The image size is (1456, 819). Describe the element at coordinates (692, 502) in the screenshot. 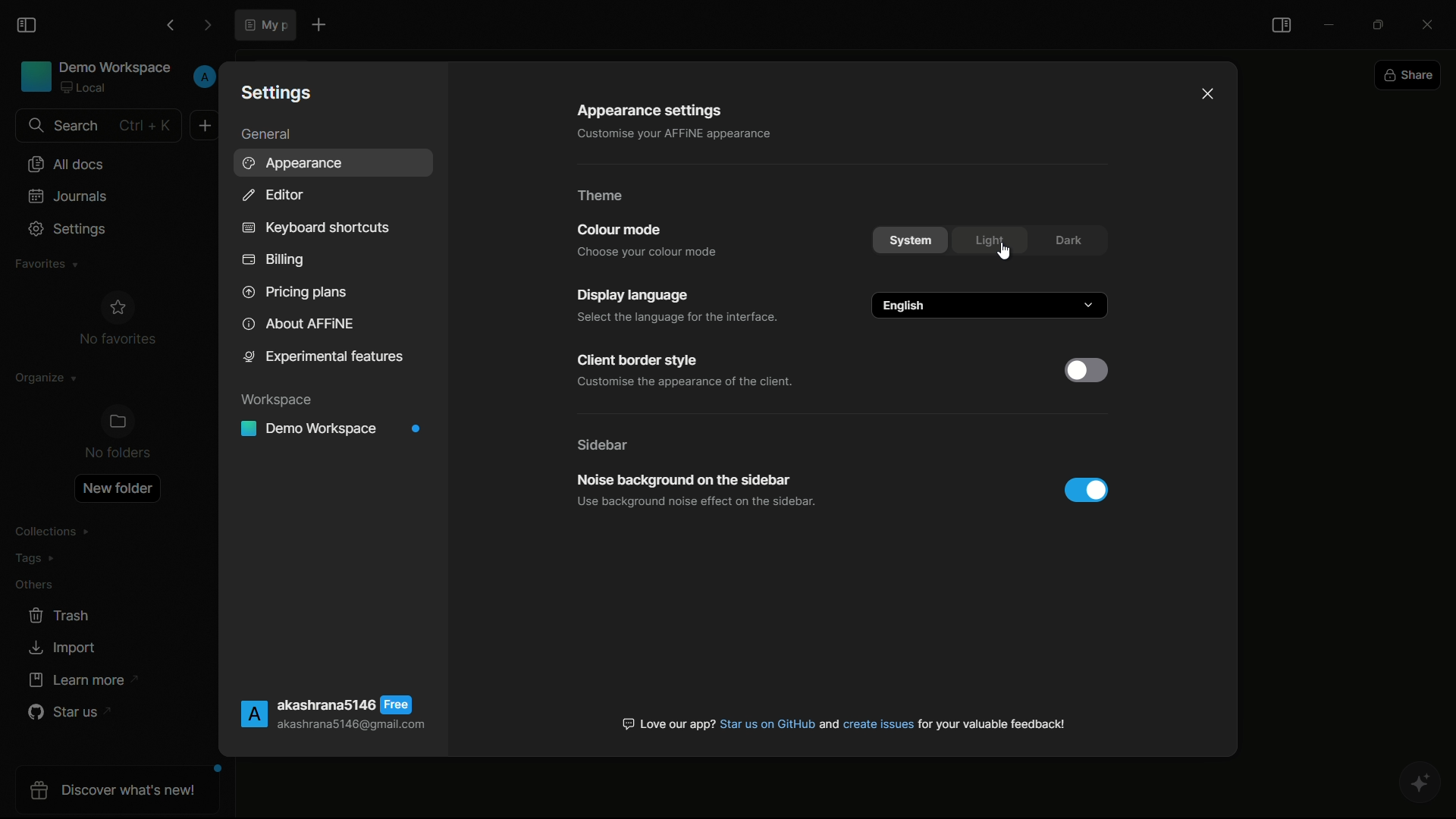

I see `Use background noise effect on the sidebar.` at that location.